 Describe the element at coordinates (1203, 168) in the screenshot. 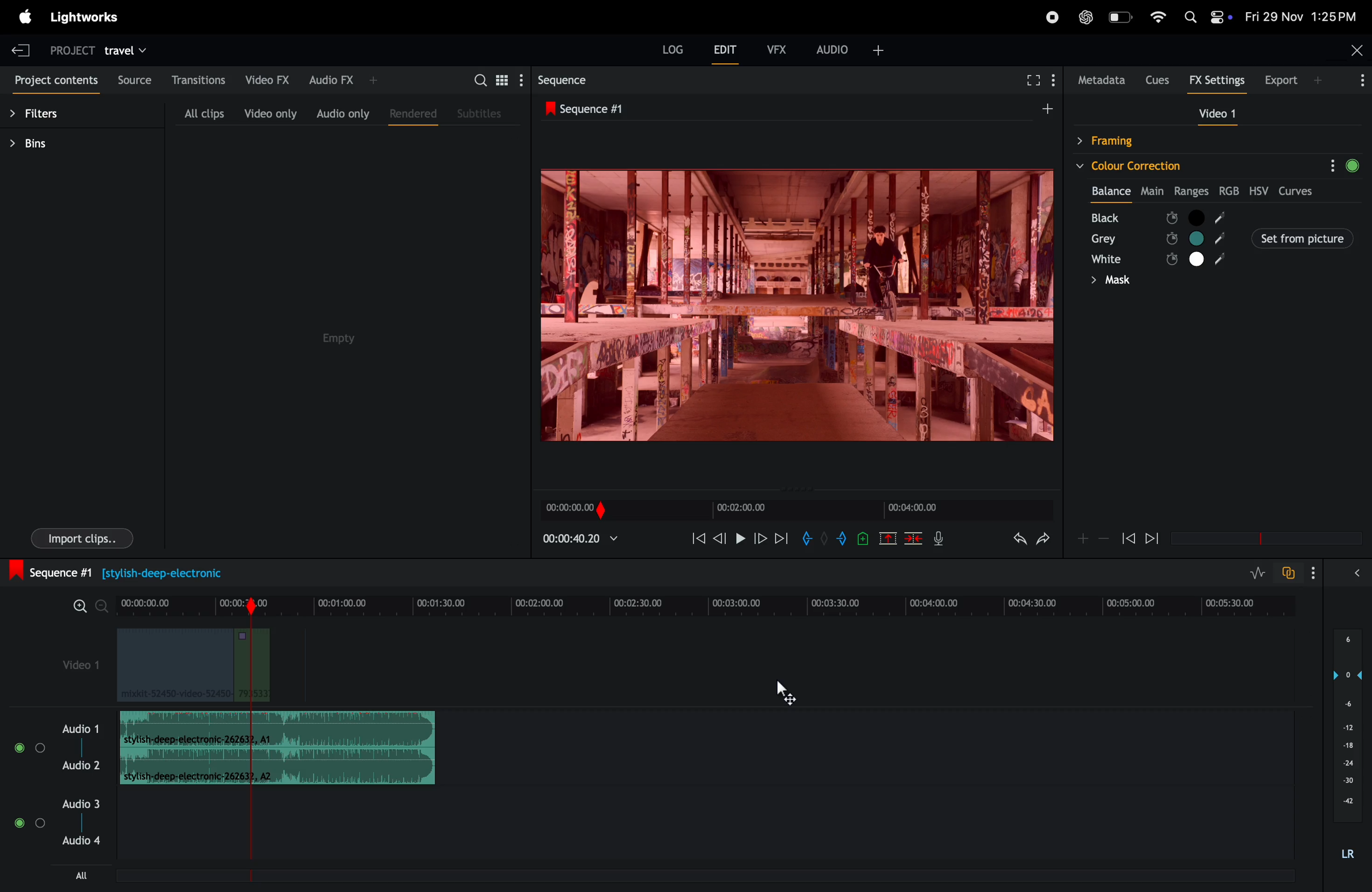

I see `colour correction` at that location.